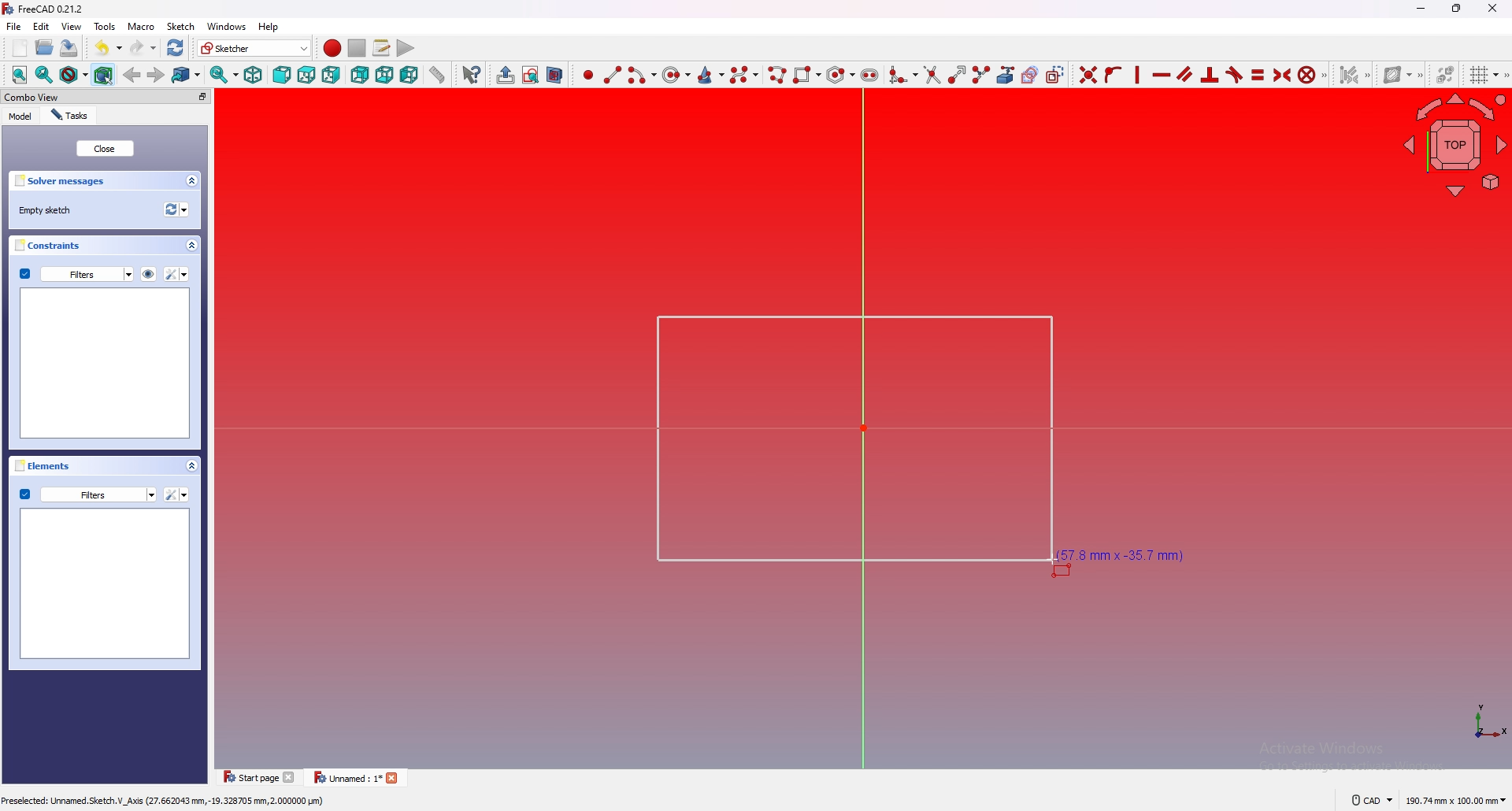  What do you see at coordinates (14, 26) in the screenshot?
I see `file` at bounding box center [14, 26].